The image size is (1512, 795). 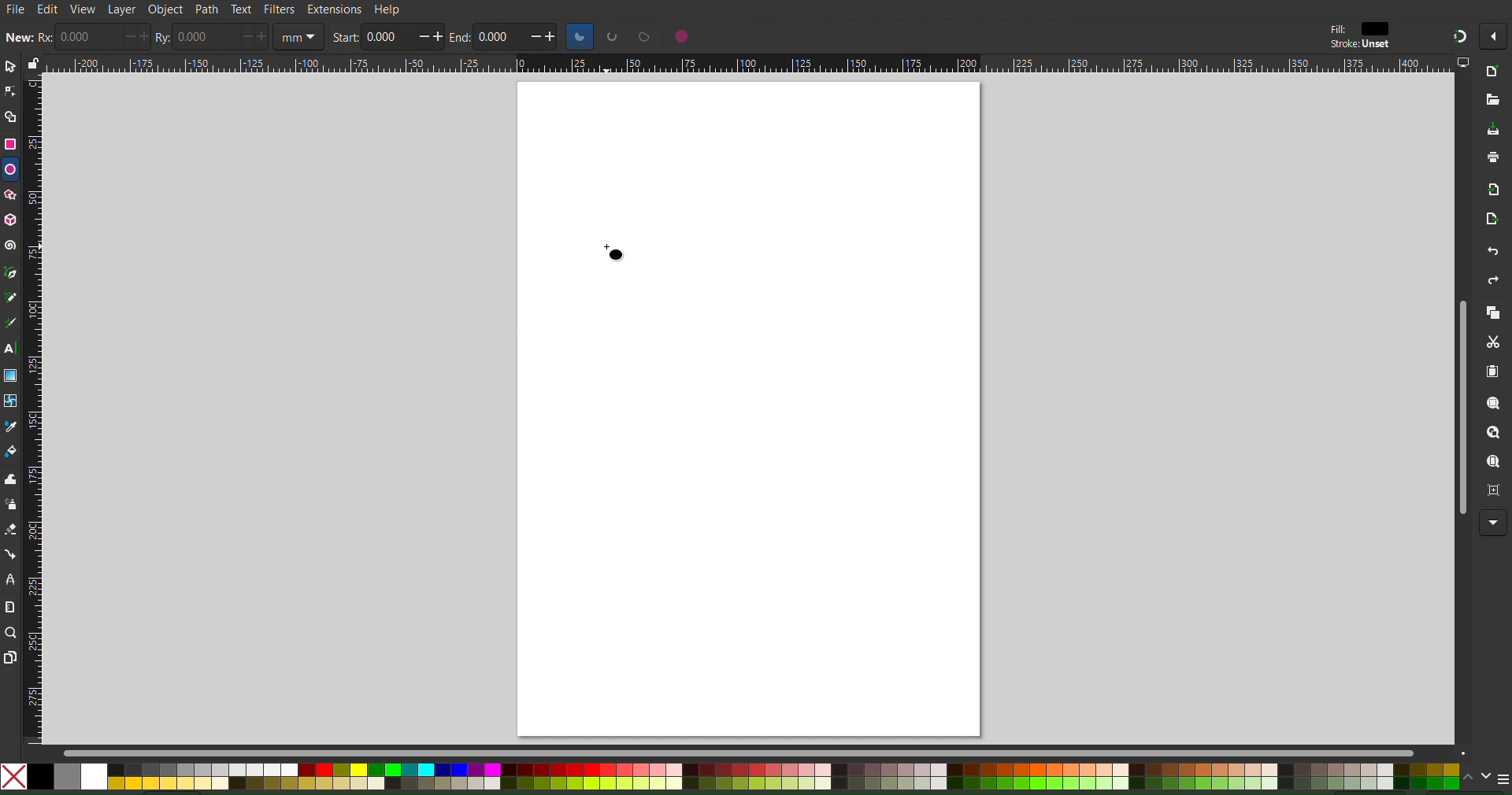 I want to click on increase/decrease, so click(x=431, y=37).